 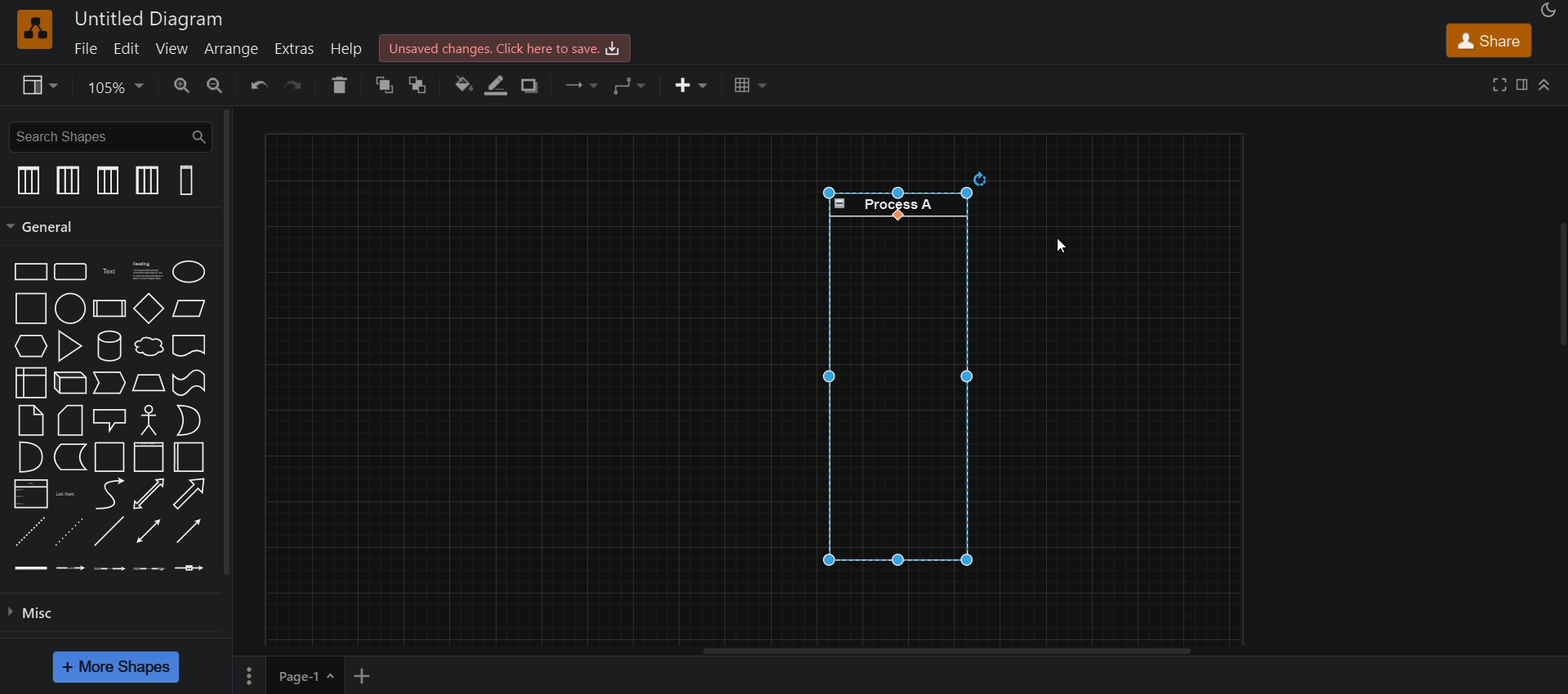 I want to click on connection, so click(x=584, y=84).